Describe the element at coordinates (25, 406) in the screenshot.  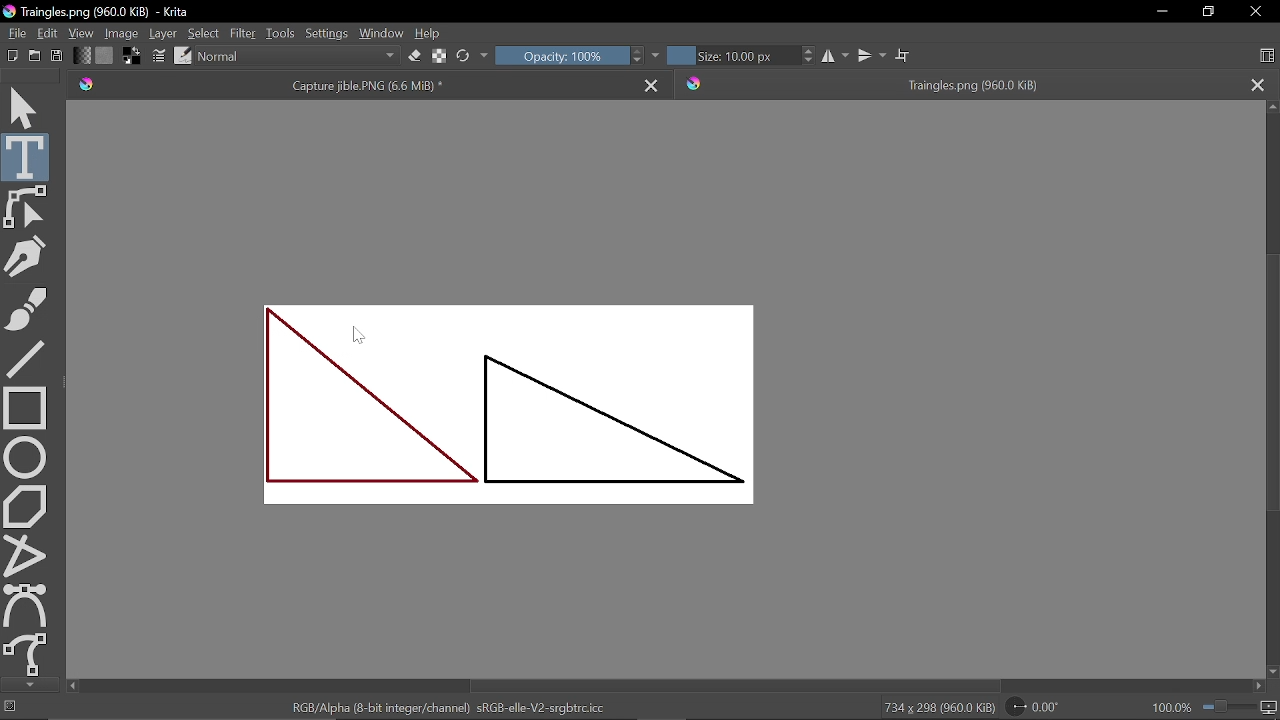
I see `Rectangle tool` at that location.